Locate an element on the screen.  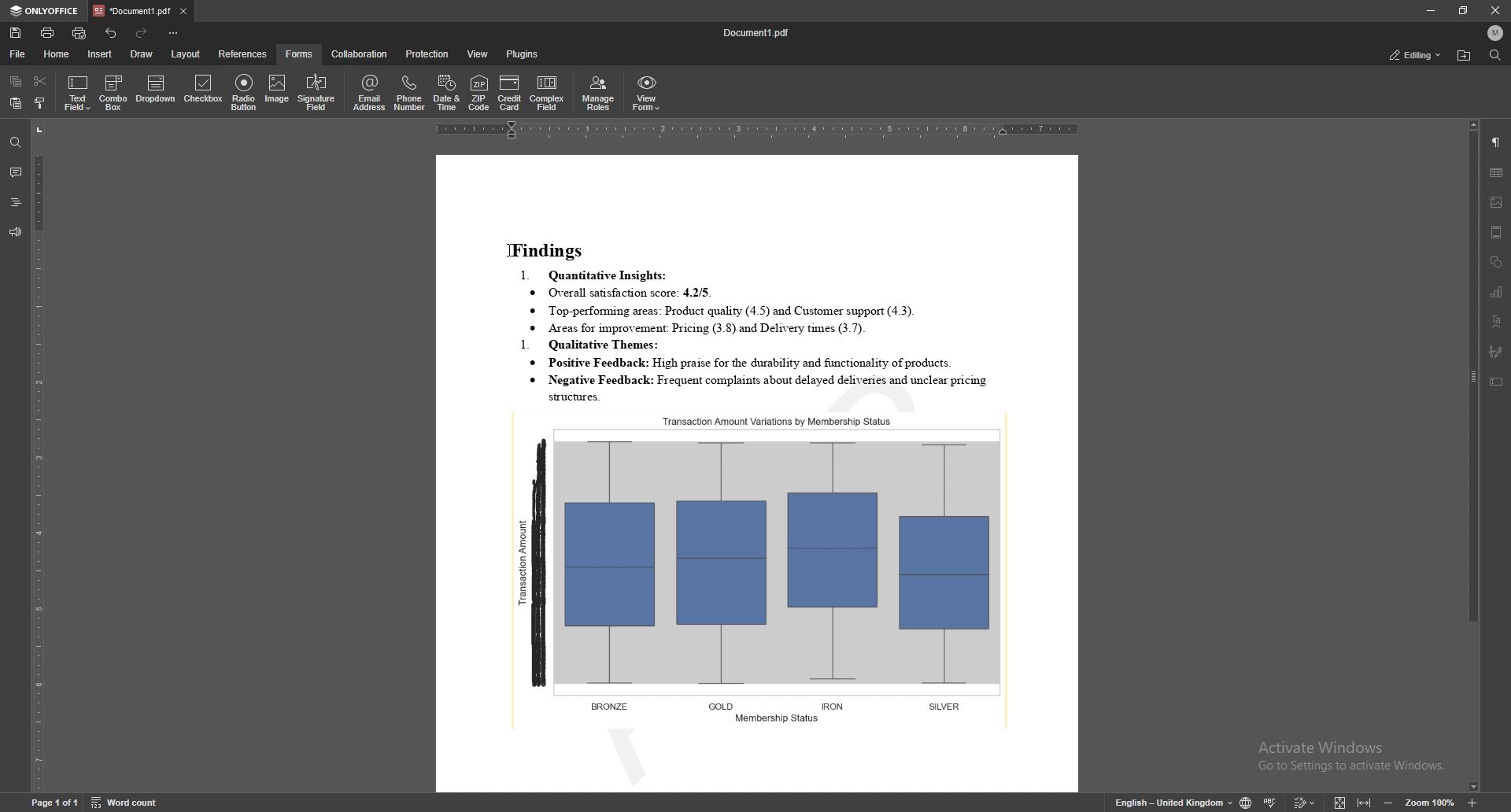
date and time is located at coordinates (446, 94).